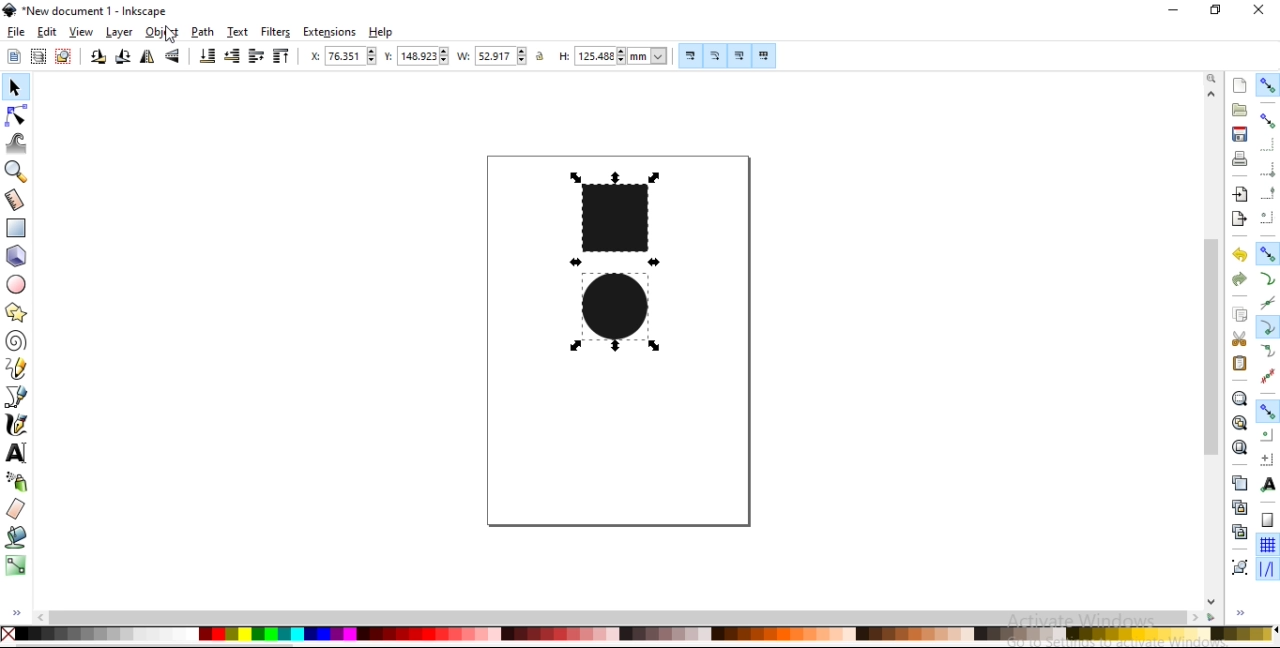 The image size is (1280, 648). Describe the element at coordinates (1267, 327) in the screenshot. I see `snap cusp nodes` at that location.